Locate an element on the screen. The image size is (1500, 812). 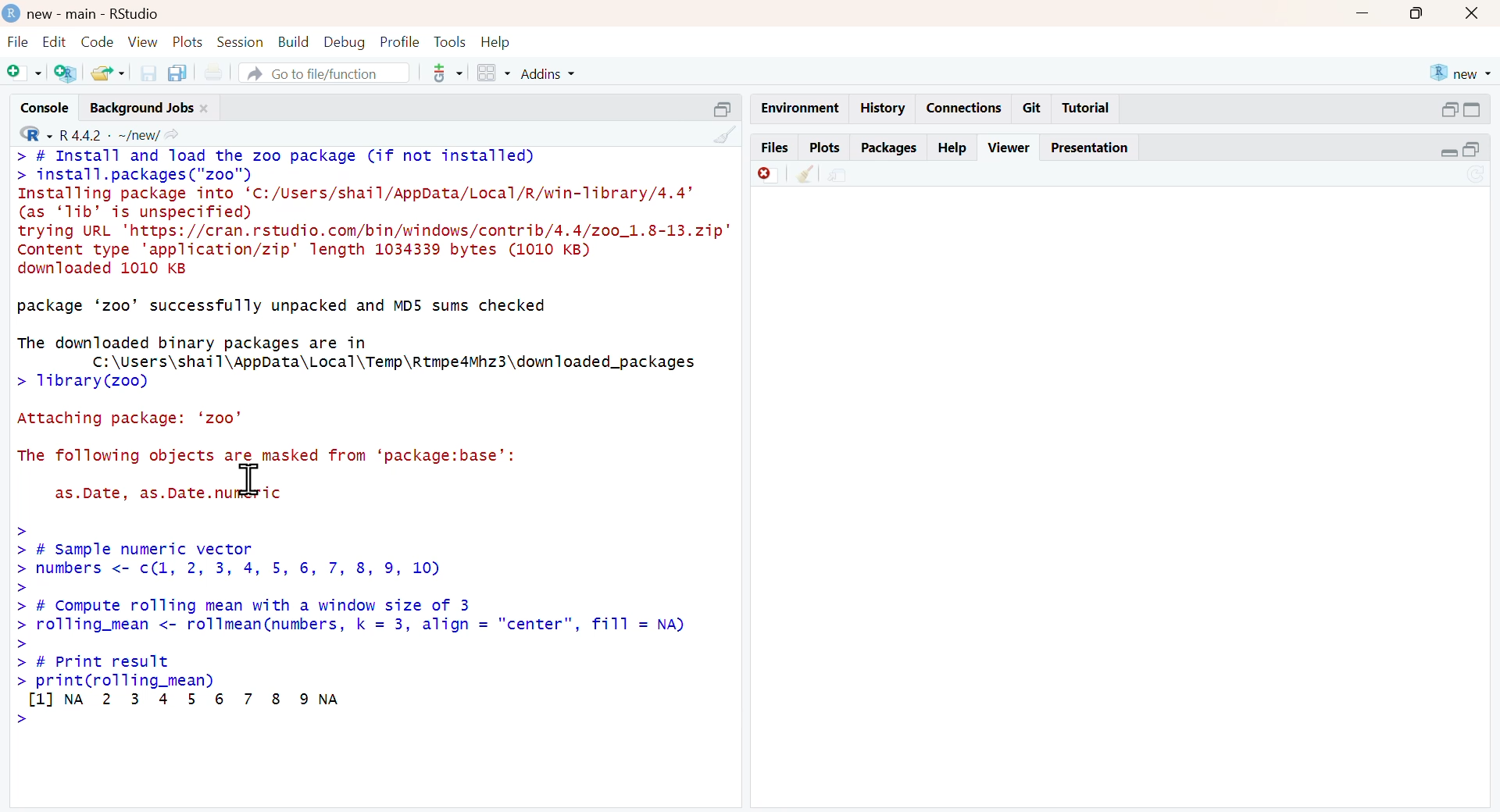
packages is located at coordinates (890, 148).